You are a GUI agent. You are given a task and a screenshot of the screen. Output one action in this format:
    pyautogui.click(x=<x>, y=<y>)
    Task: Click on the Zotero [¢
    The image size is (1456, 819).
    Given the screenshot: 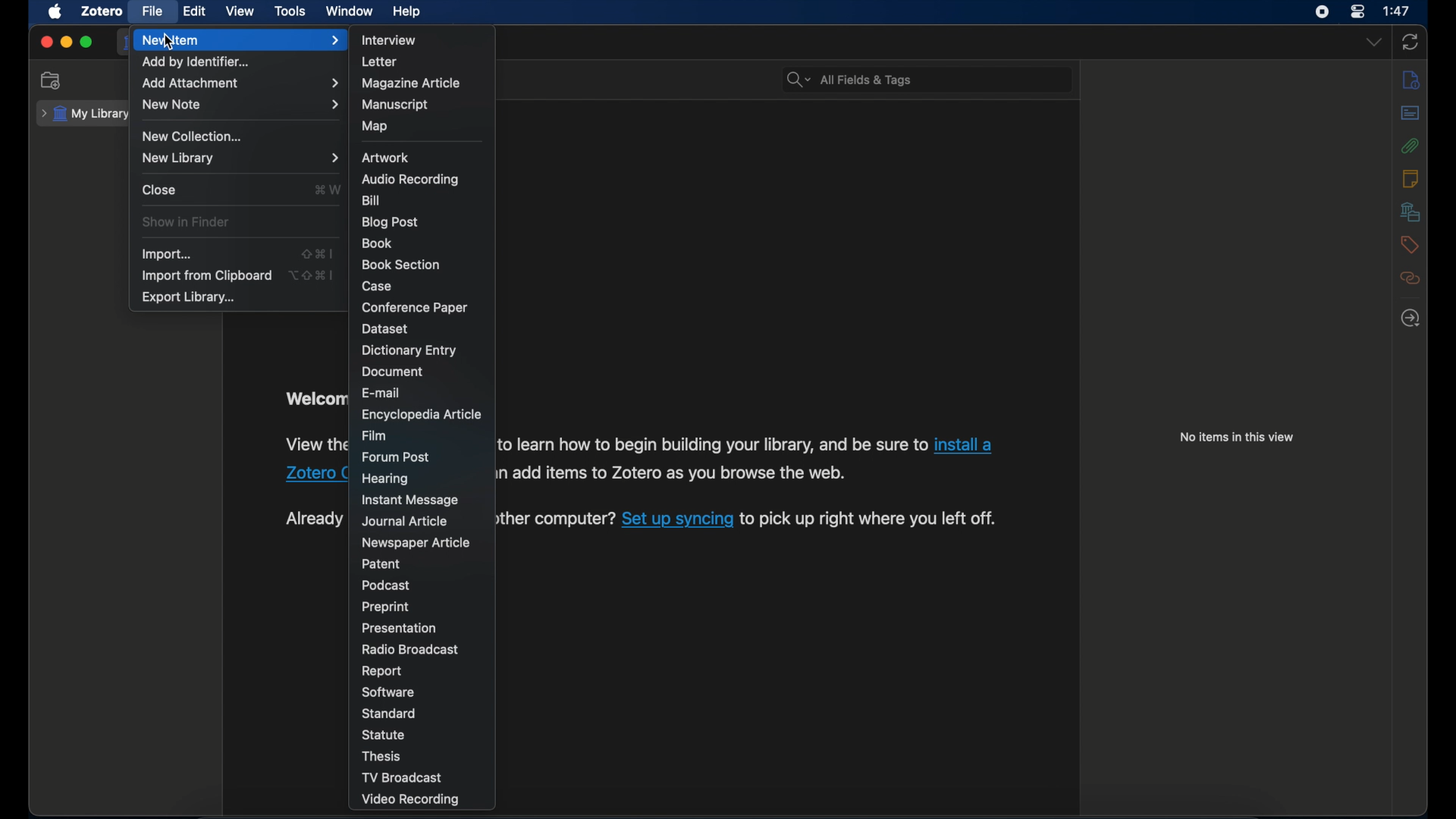 What is the action you would take?
    pyautogui.click(x=306, y=475)
    